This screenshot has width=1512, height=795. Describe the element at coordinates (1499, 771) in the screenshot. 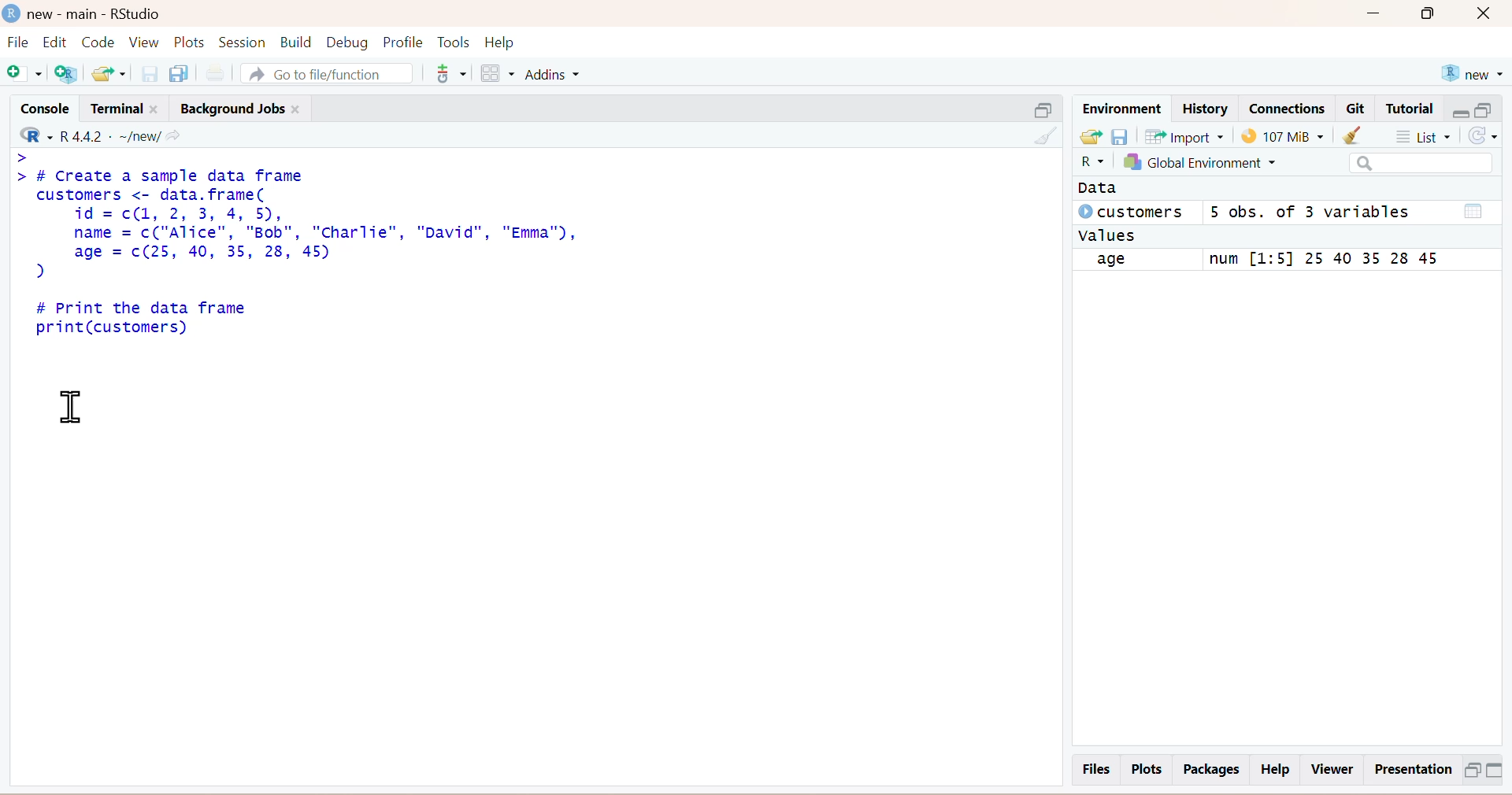

I see `Minimize` at that location.